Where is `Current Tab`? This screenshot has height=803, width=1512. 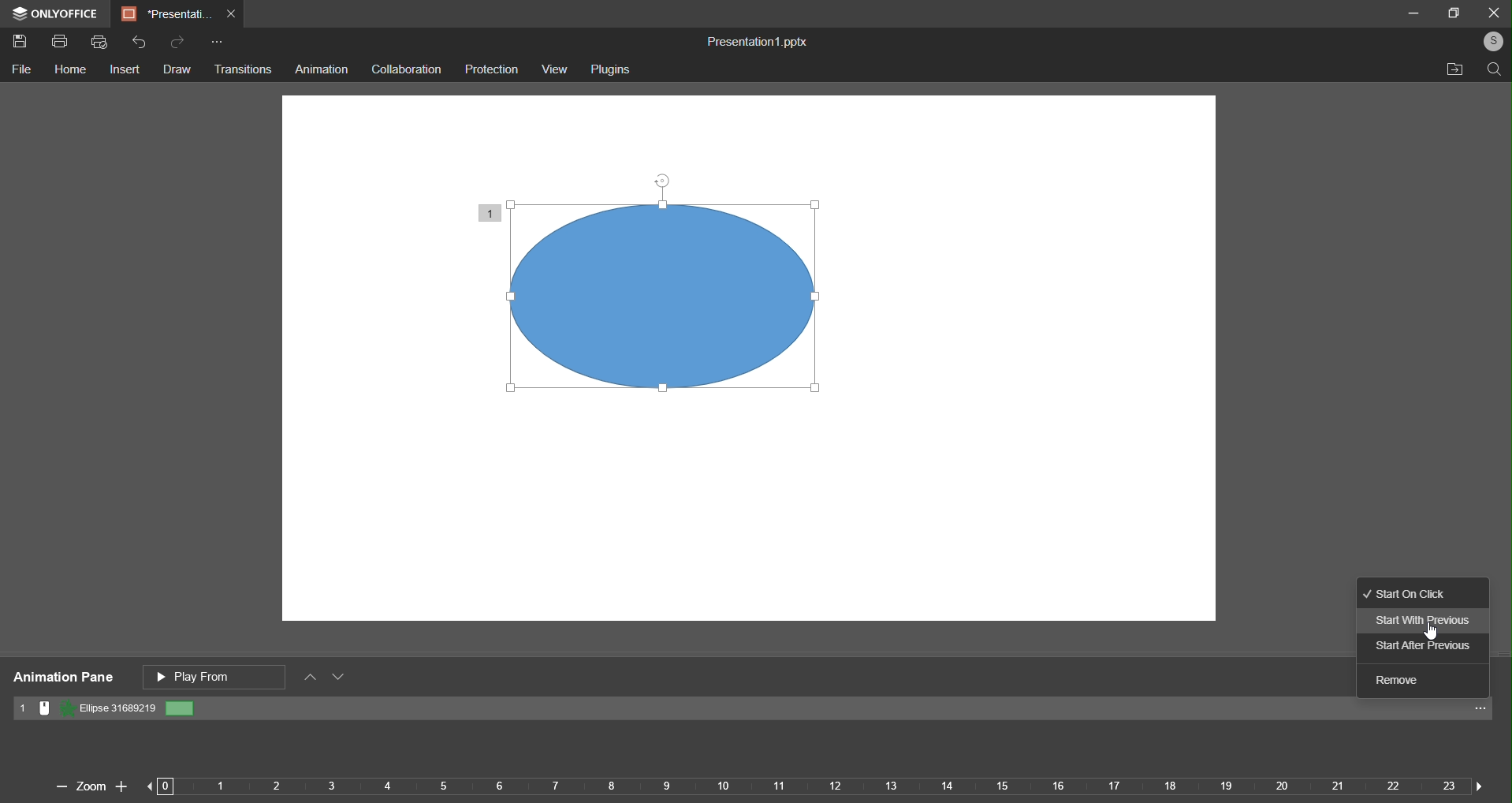 Current Tab is located at coordinates (166, 14).